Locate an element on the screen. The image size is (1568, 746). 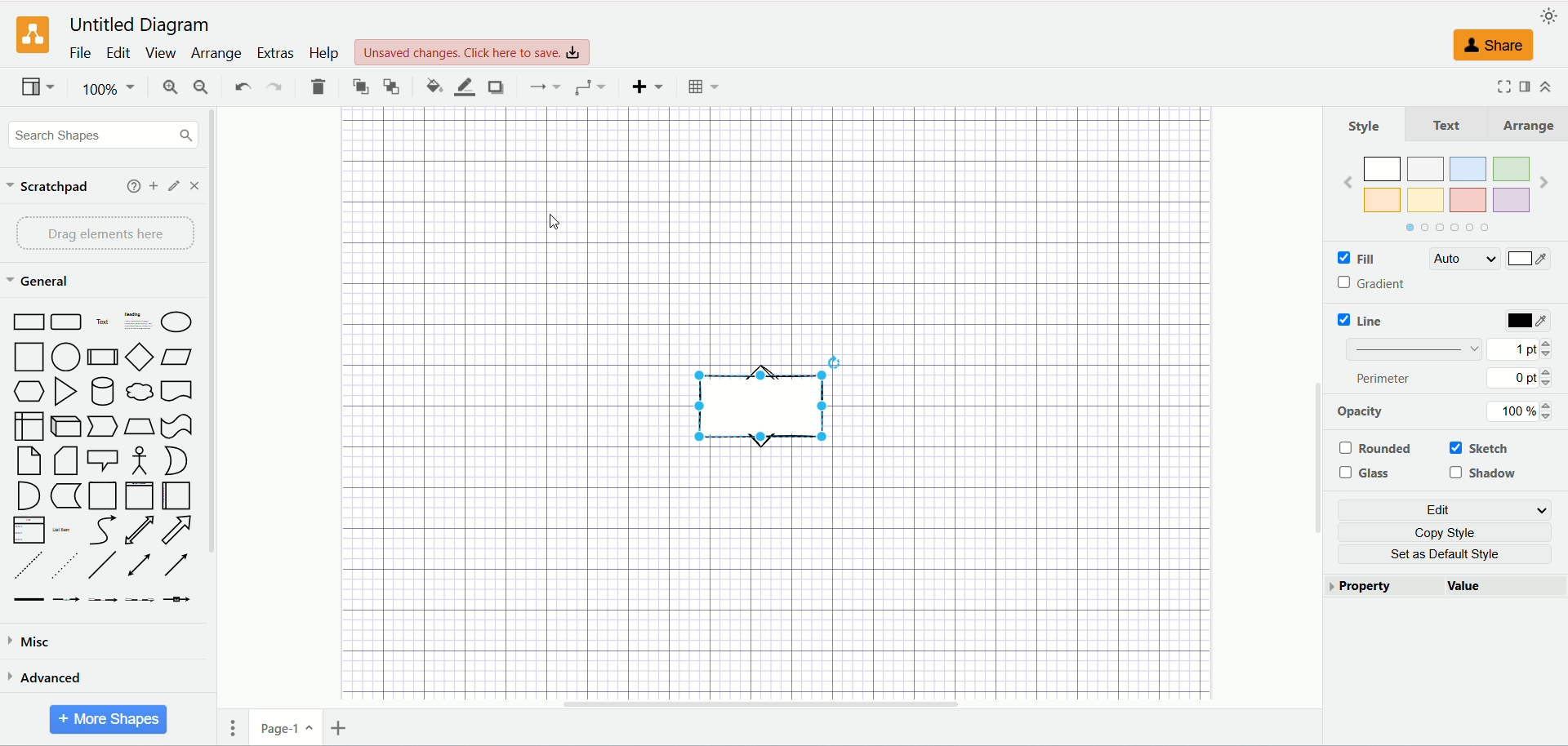
Triangle is located at coordinates (67, 392).